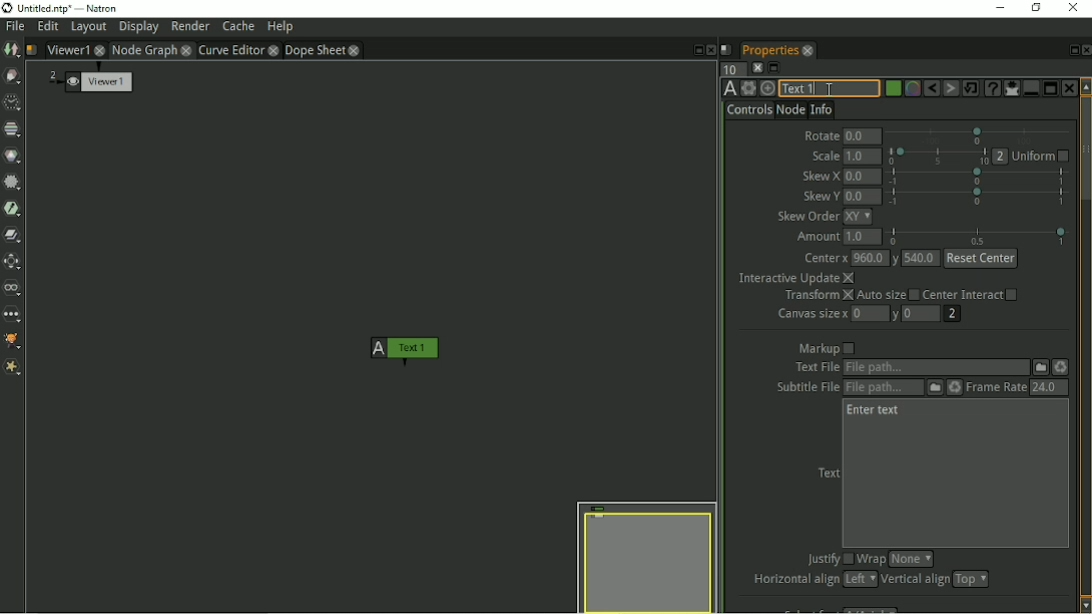 This screenshot has height=614, width=1092. I want to click on Viewer 1, so click(98, 81).